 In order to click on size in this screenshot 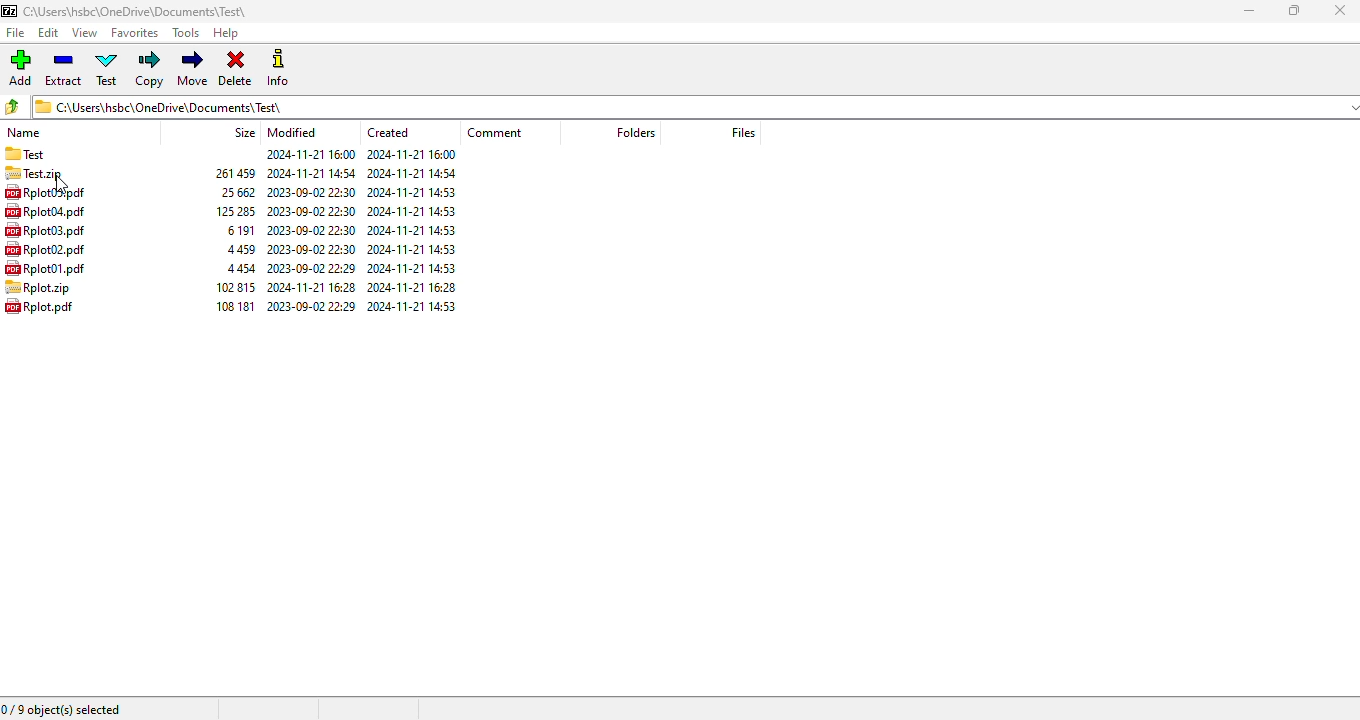, I will do `click(236, 287)`.